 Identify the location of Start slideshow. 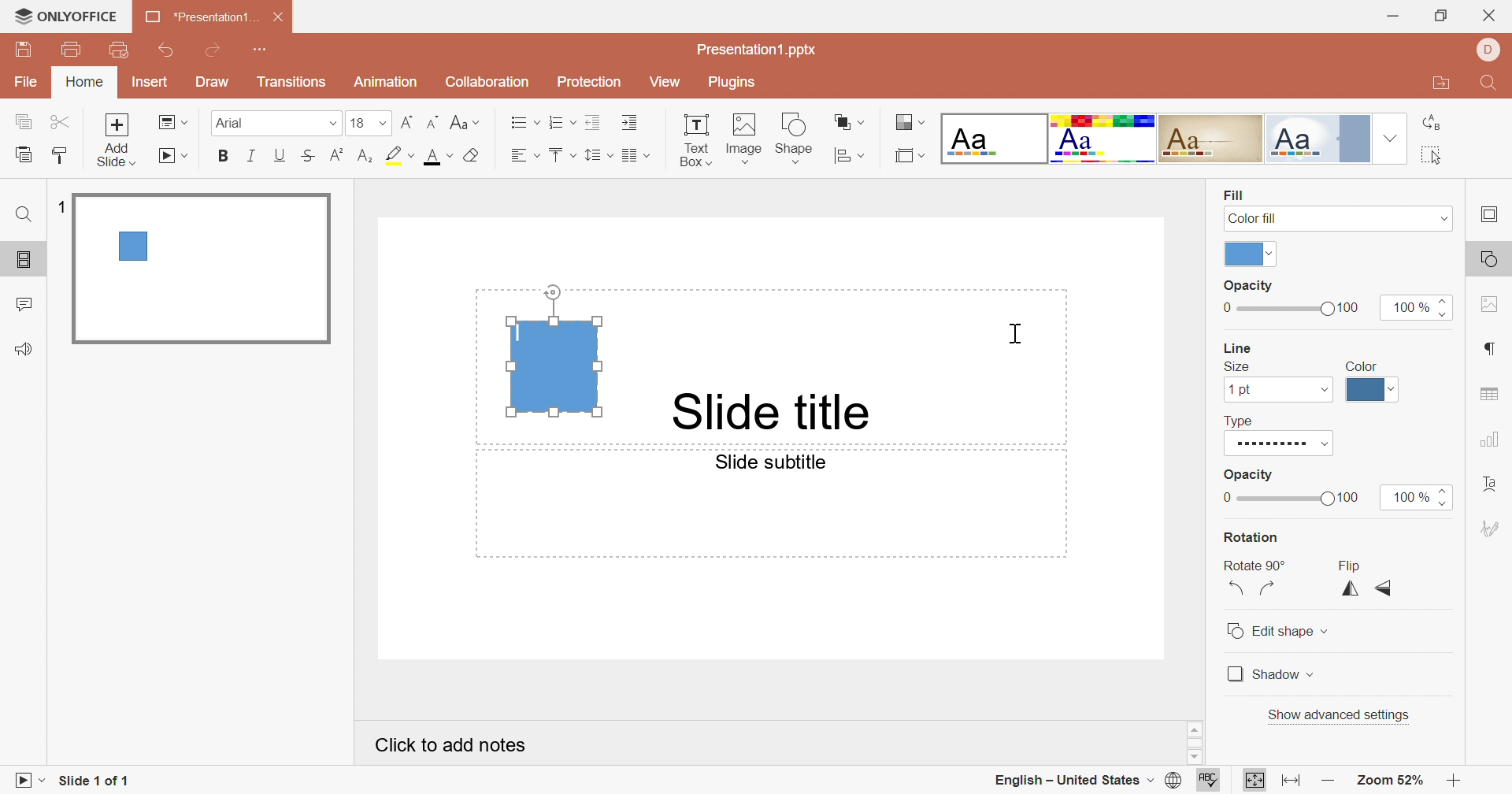
(176, 157).